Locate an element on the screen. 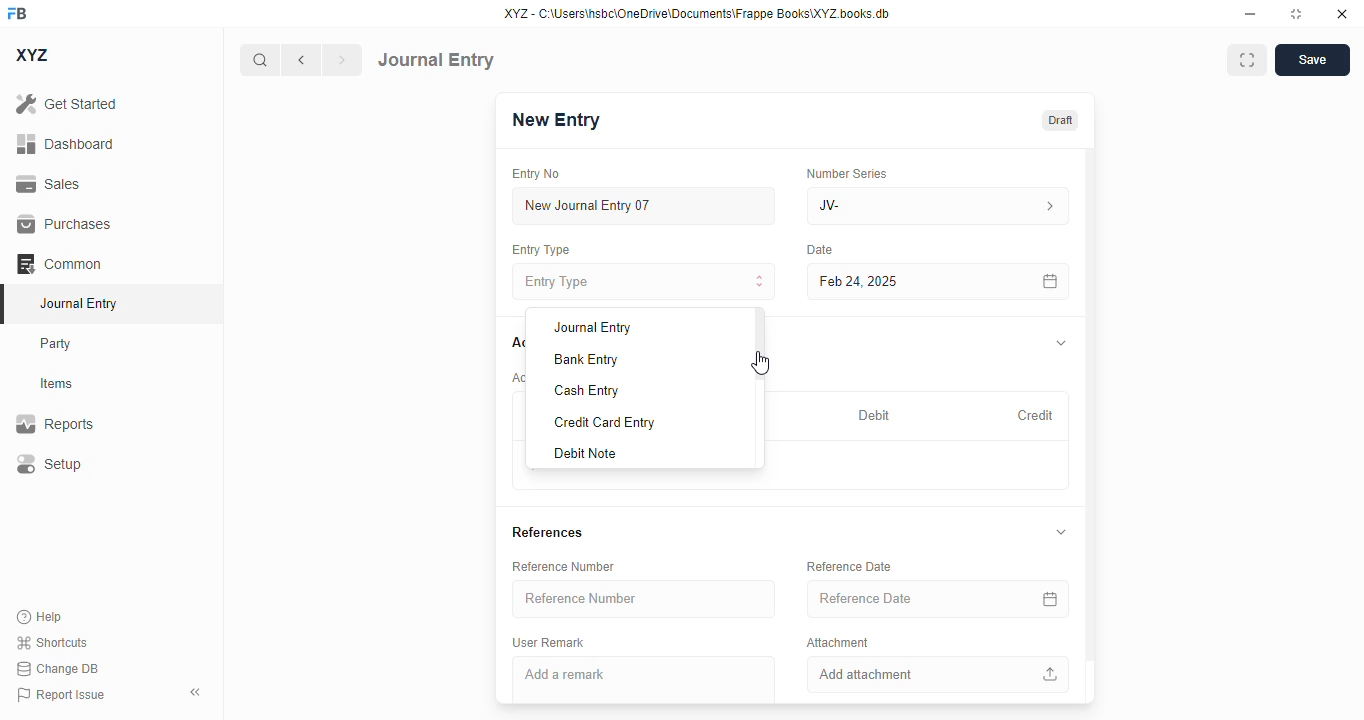 The width and height of the screenshot is (1364, 720). change DB is located at coordinates (57, 668).